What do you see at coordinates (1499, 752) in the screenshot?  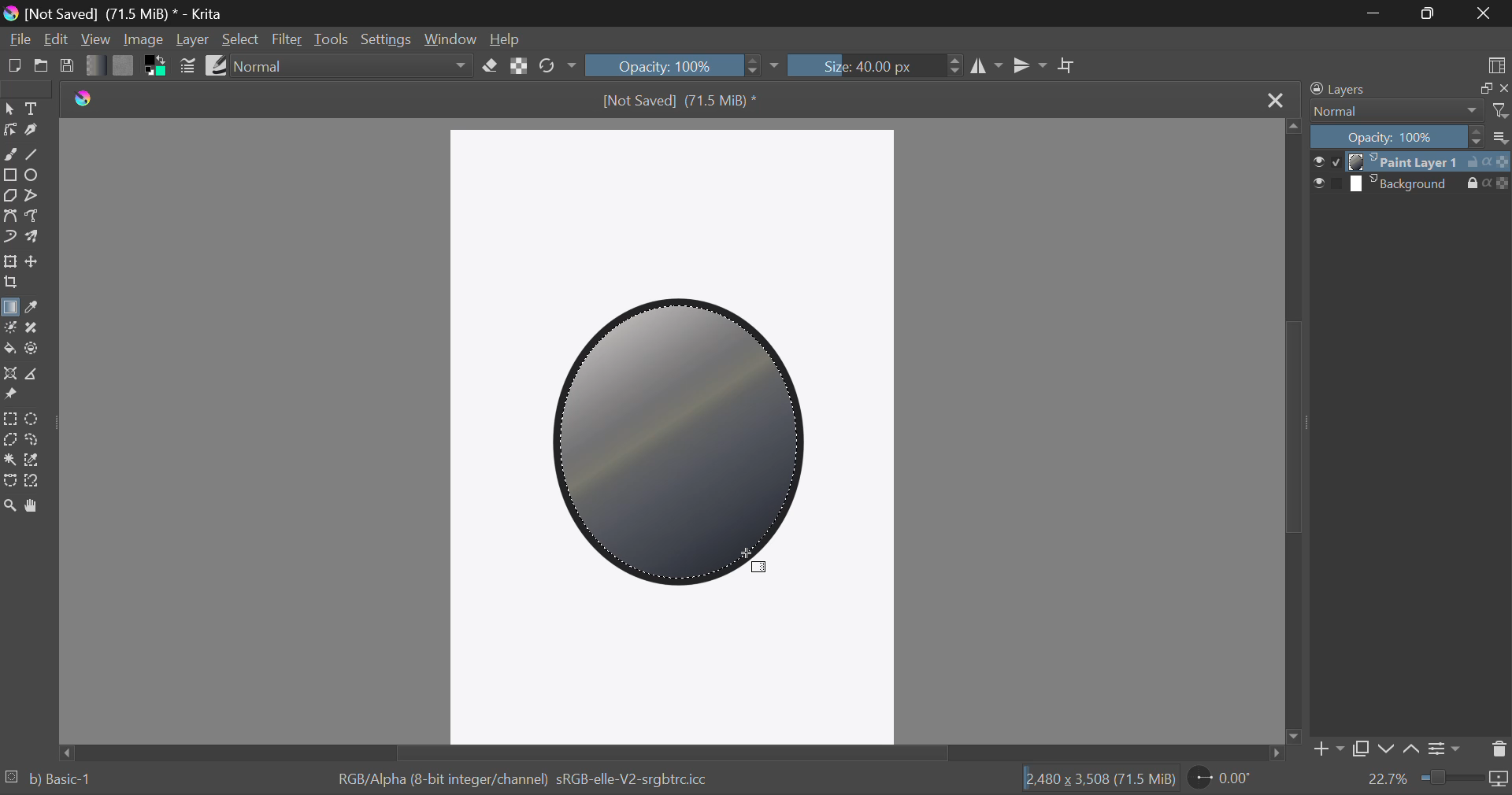 I see `Delete Layer` at bounding box center [1499, 752].